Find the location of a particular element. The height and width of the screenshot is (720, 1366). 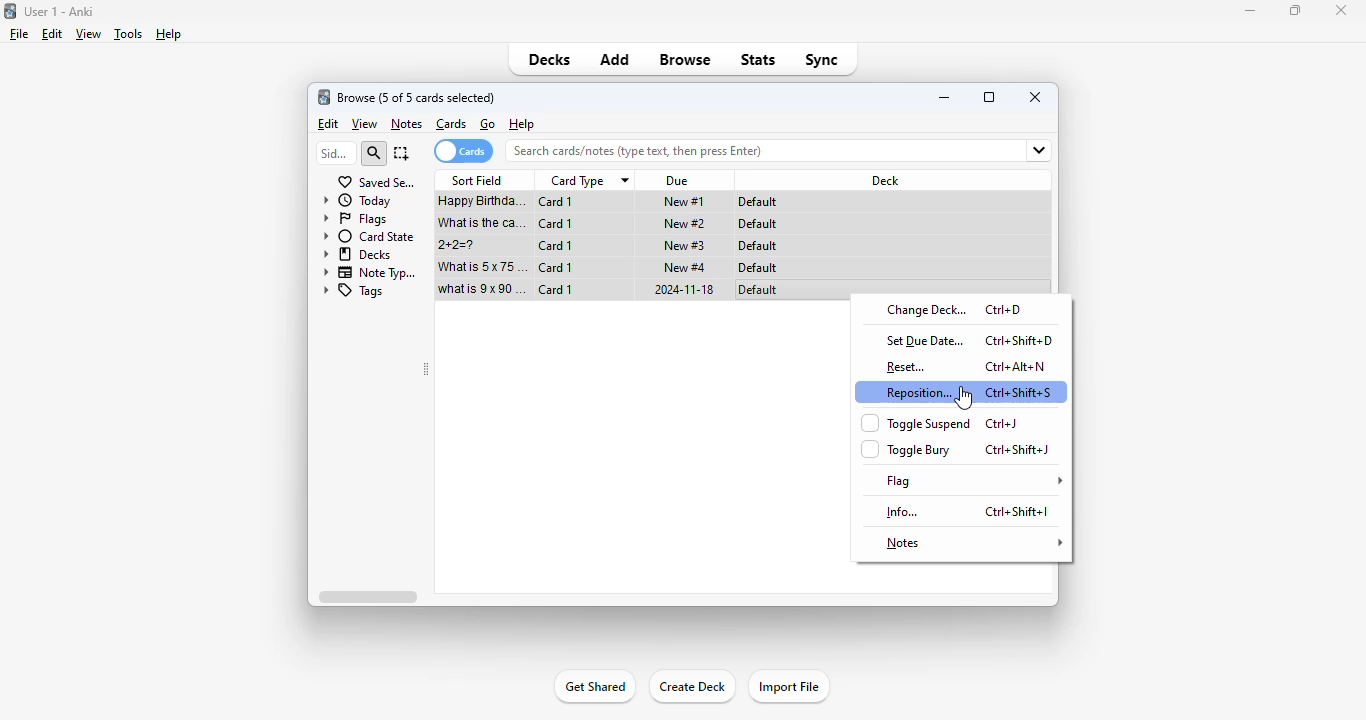

browse is located at coordinates (685, 59).